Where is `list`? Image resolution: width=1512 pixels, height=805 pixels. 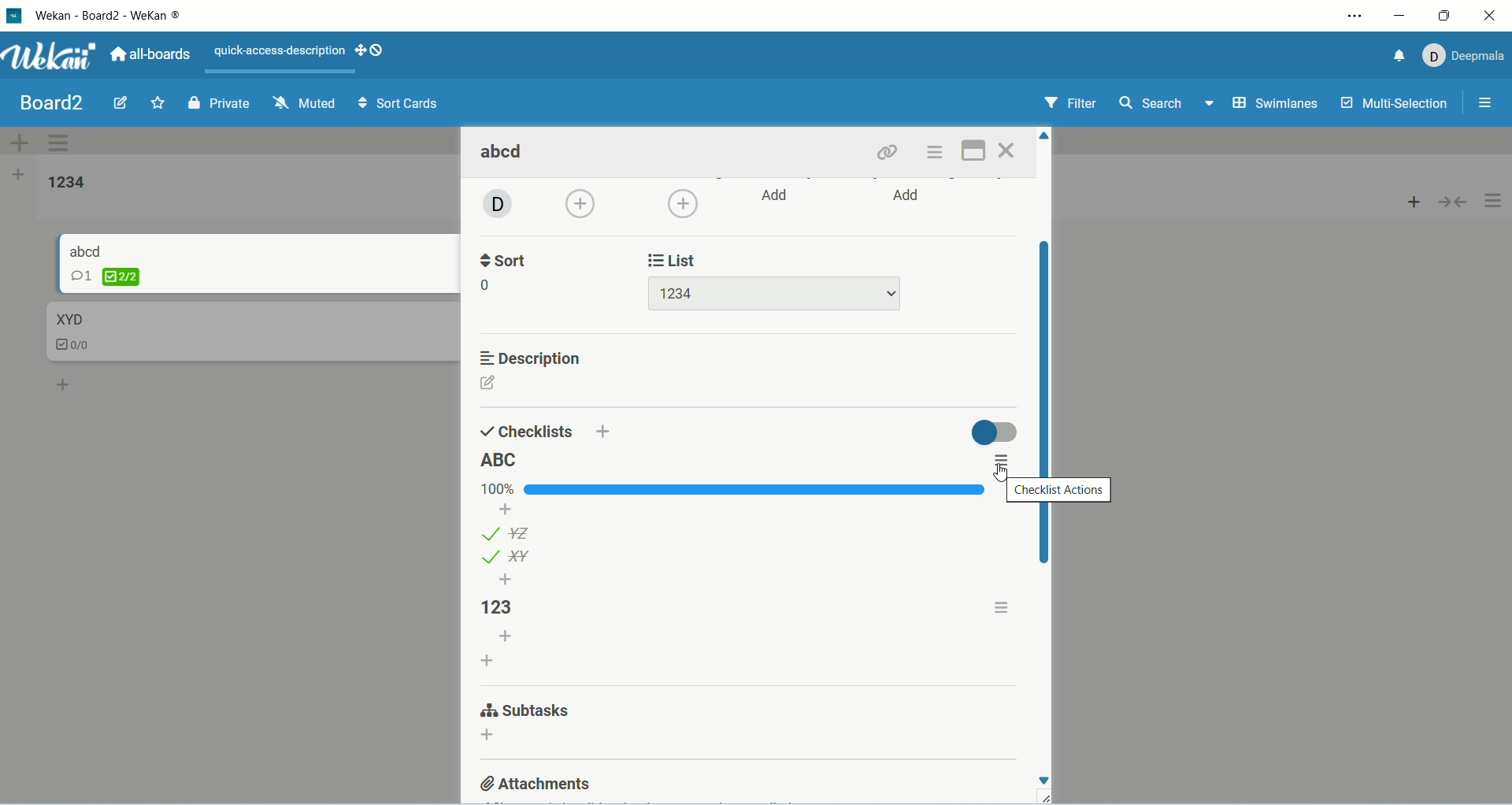
list is located at coordinates (508, 532).